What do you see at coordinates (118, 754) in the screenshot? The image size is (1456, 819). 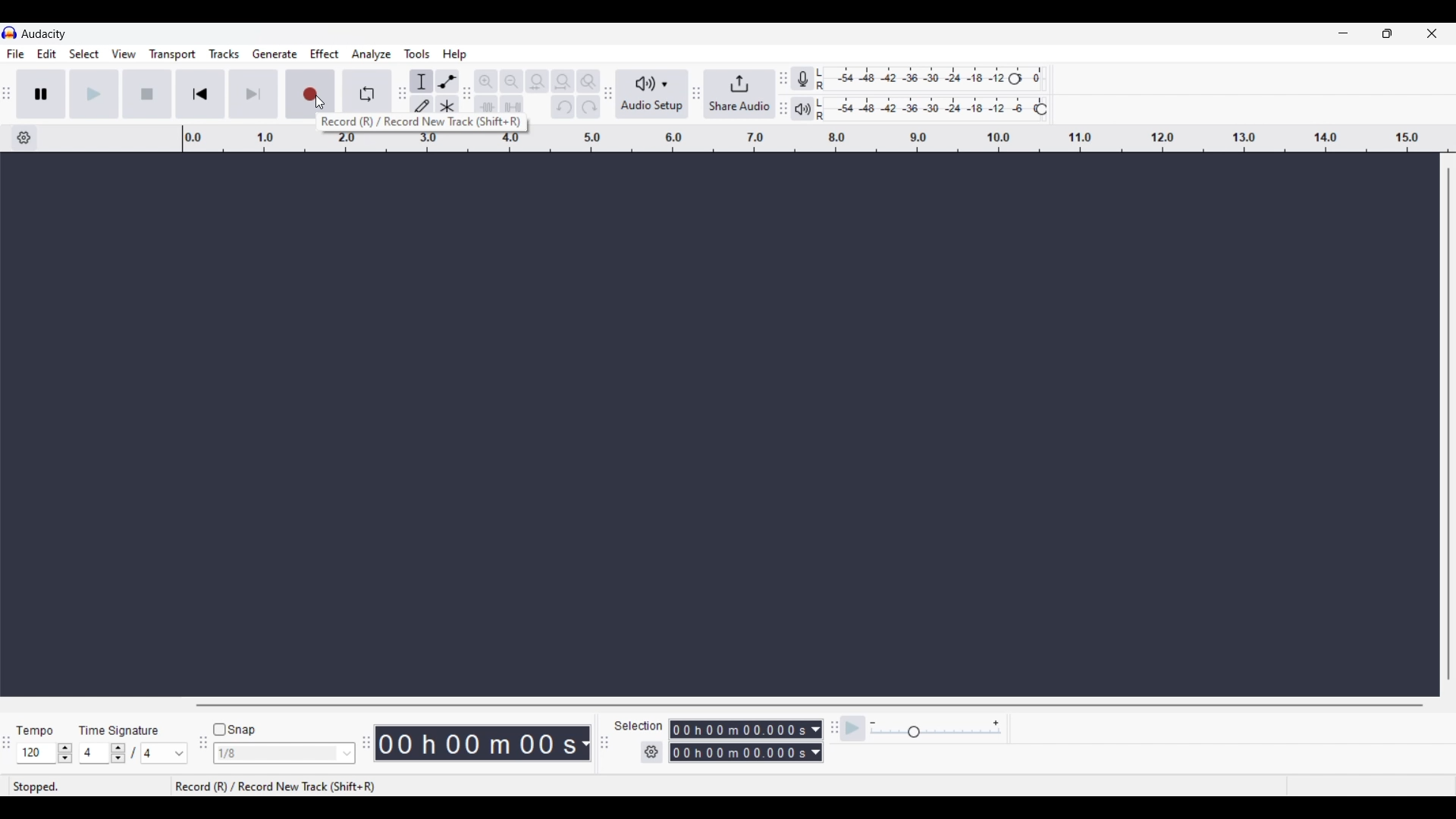 I see `Increase/Decrease time signature` at bounding box center [118, 754].